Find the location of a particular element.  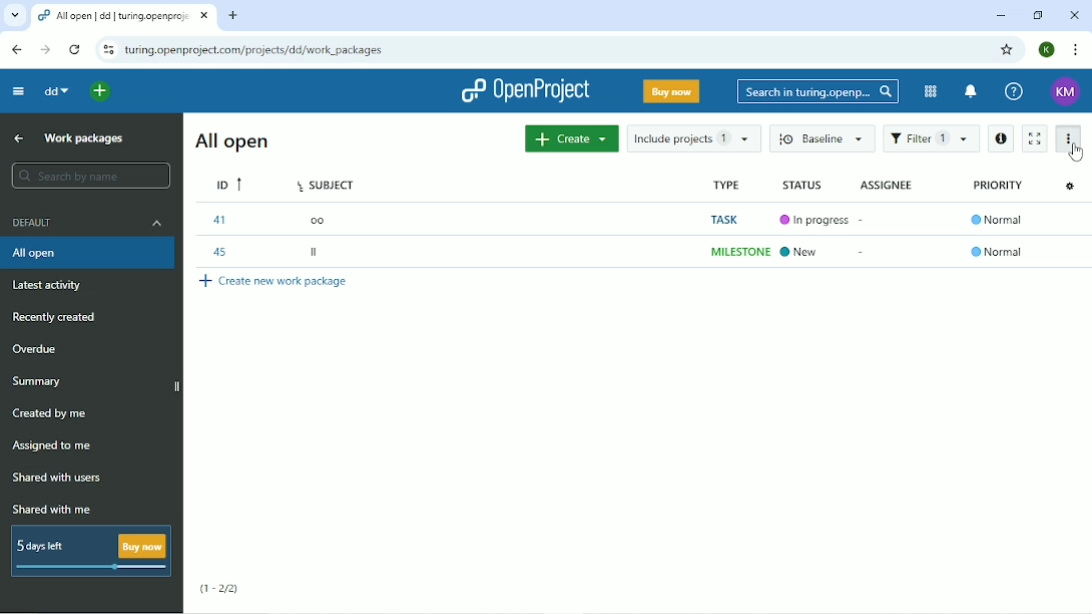

Search in Turing.opening is located at coordinates (818, 92).